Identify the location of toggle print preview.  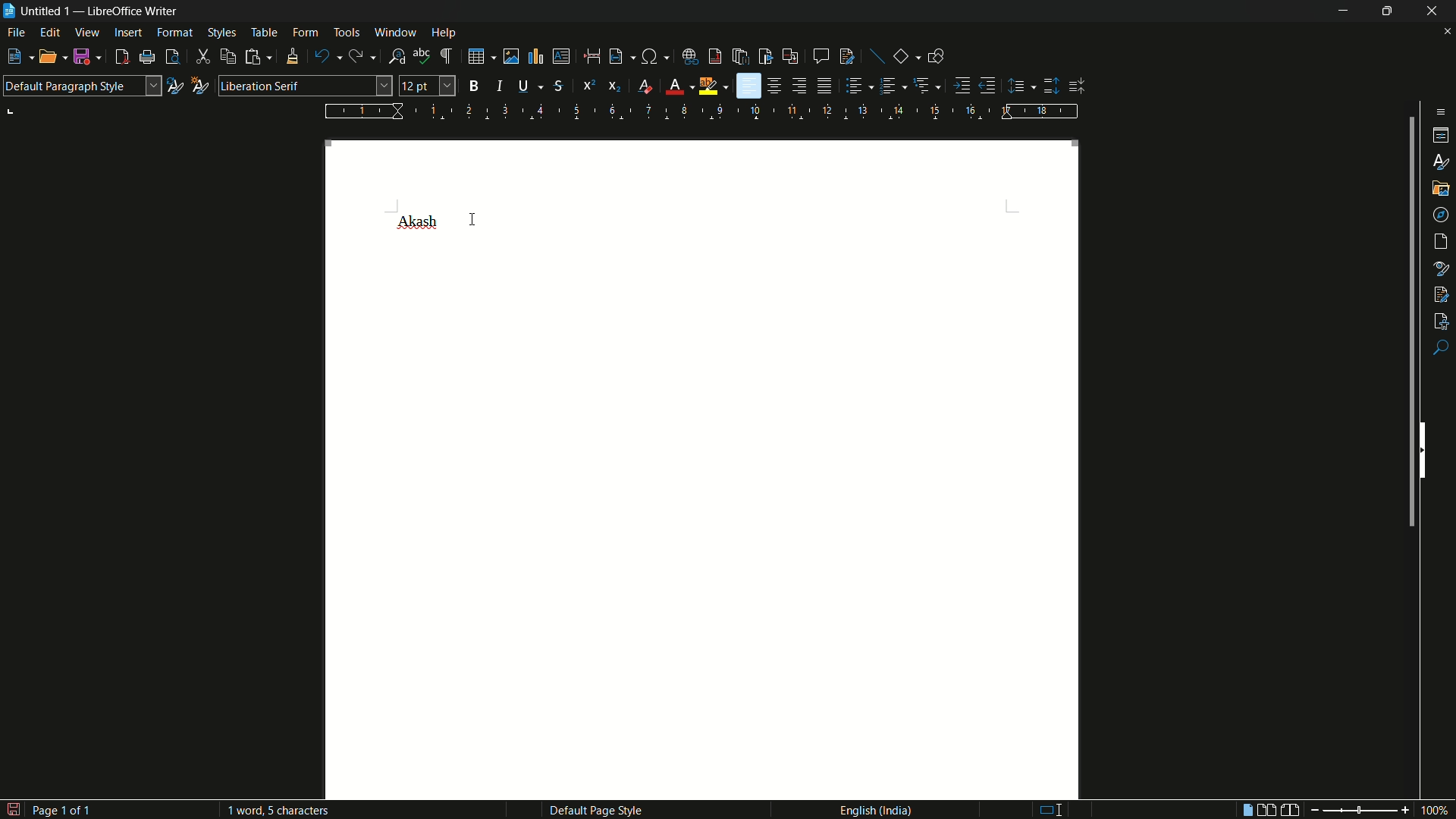
(173, 57).